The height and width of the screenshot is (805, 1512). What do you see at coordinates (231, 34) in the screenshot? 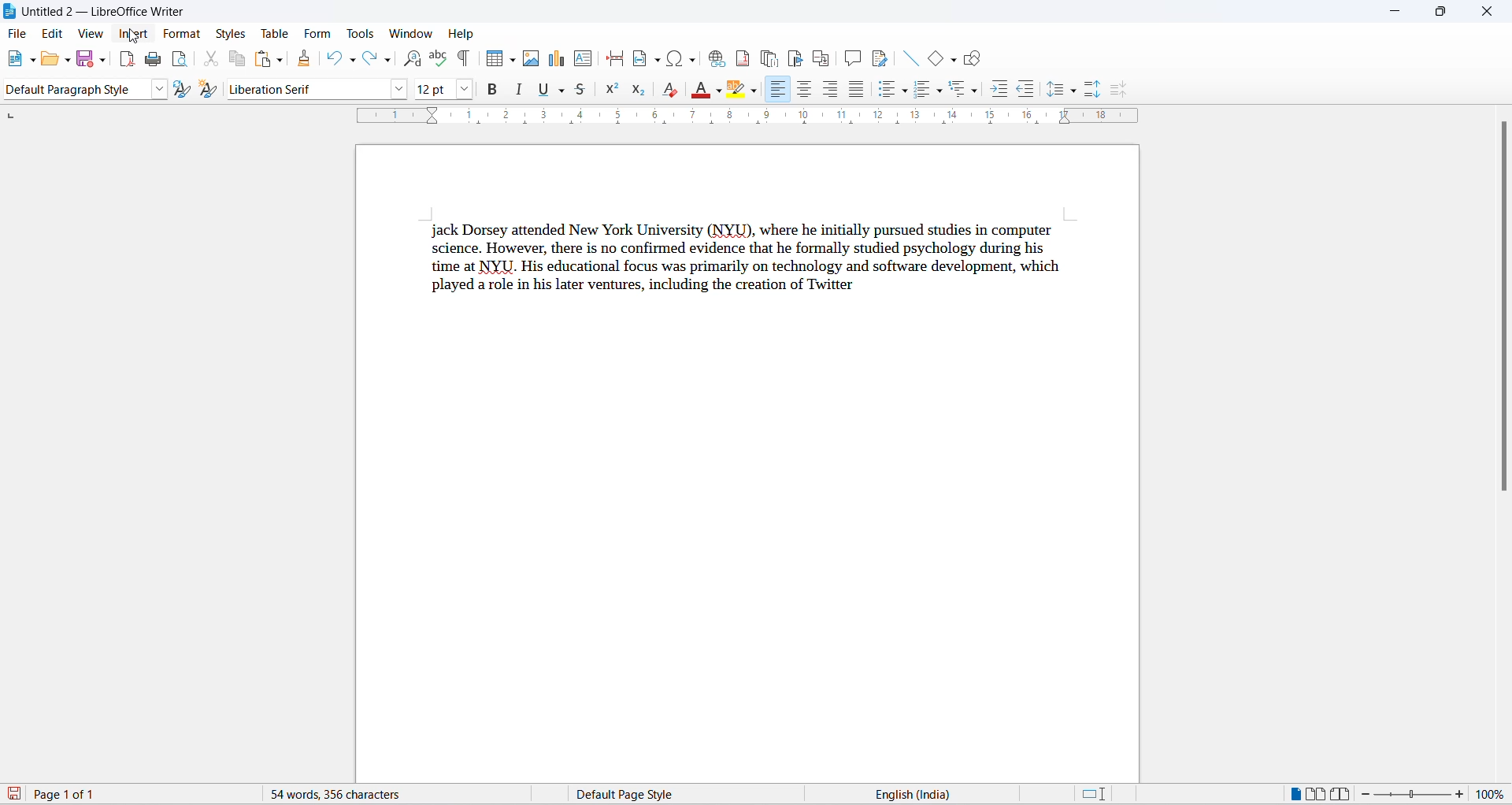
I see `styles` at bounding box center [231, 34].